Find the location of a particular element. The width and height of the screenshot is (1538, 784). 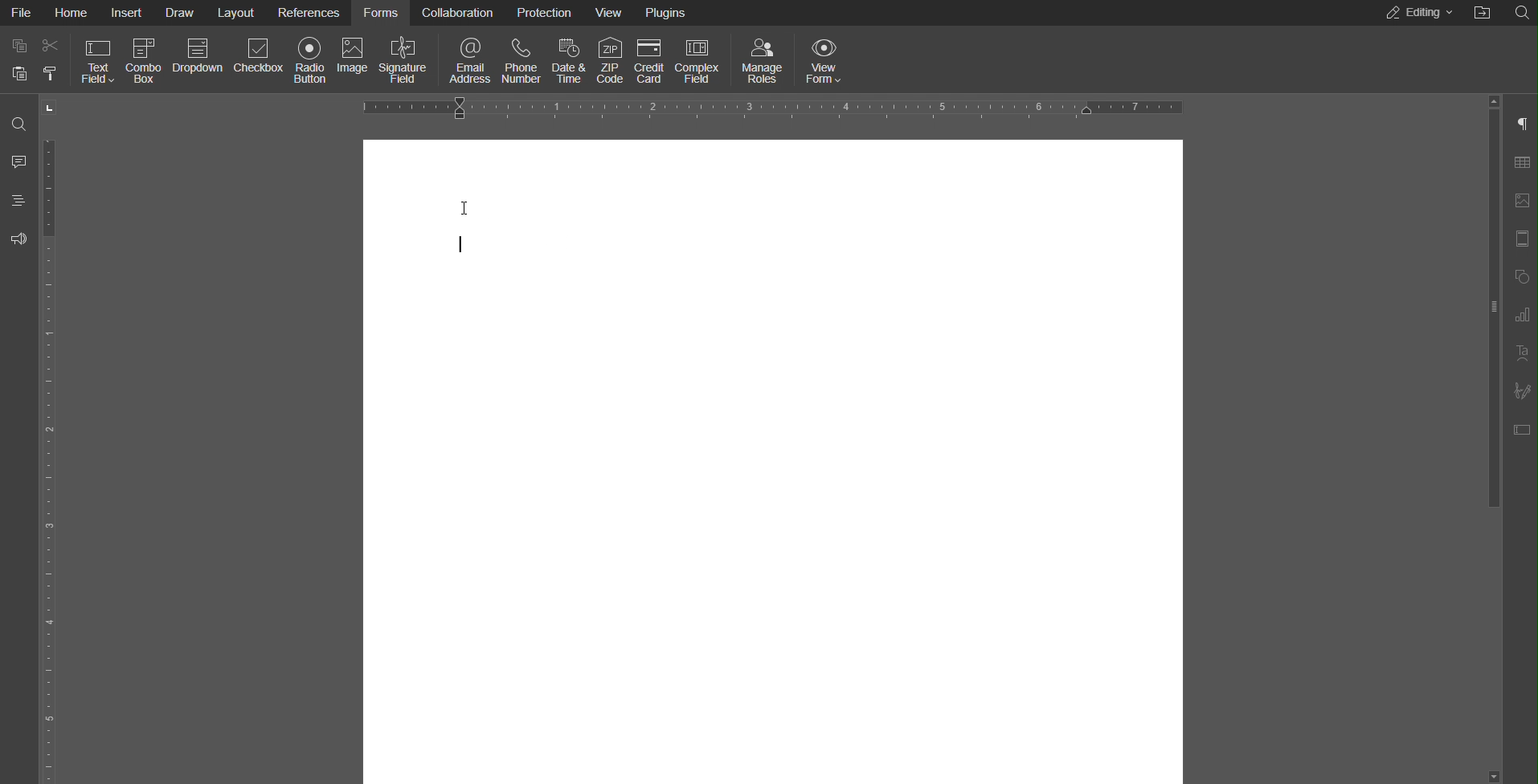

References is located at coordinates (311, 14).